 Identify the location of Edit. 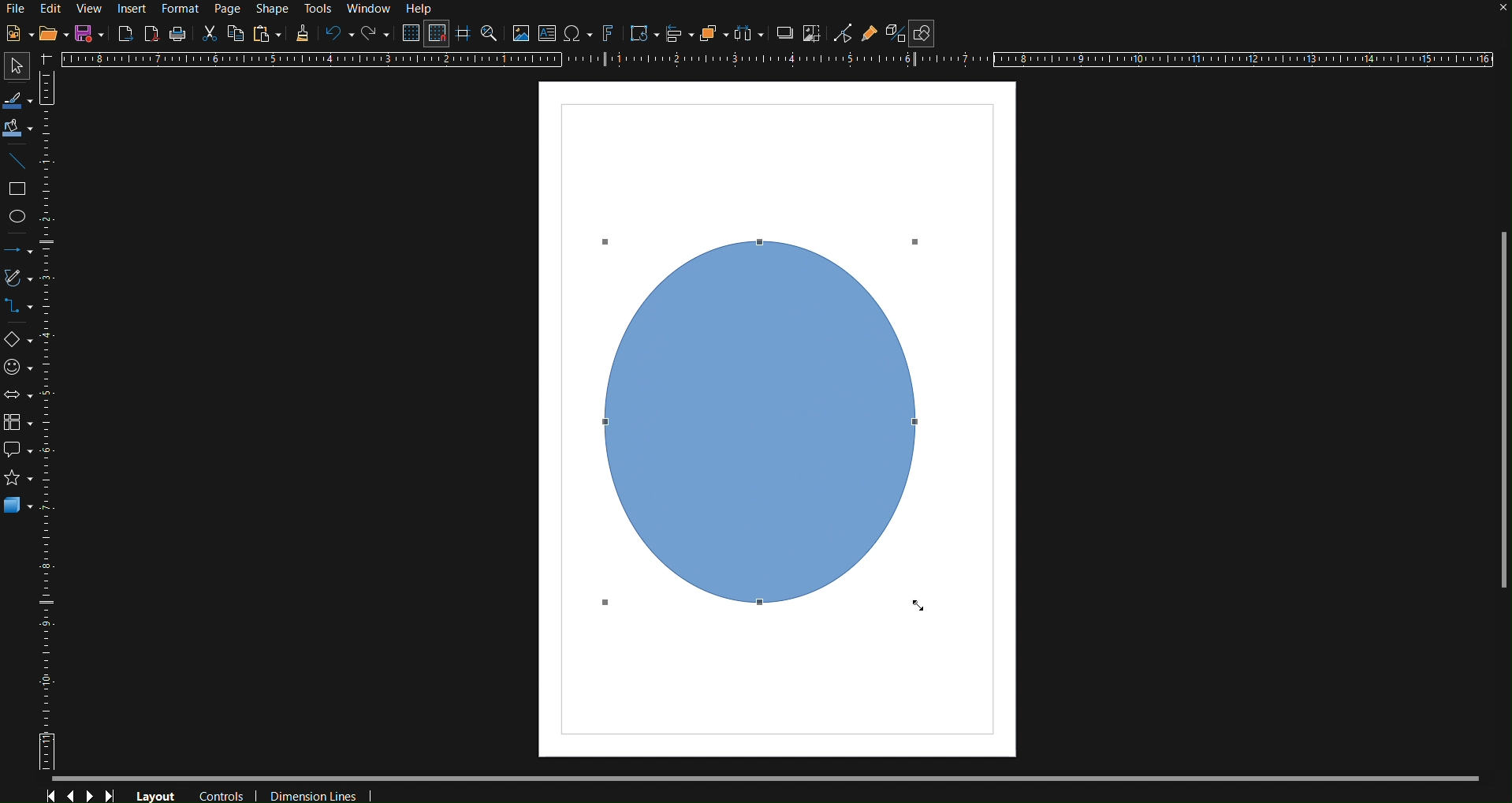
(51, 8).